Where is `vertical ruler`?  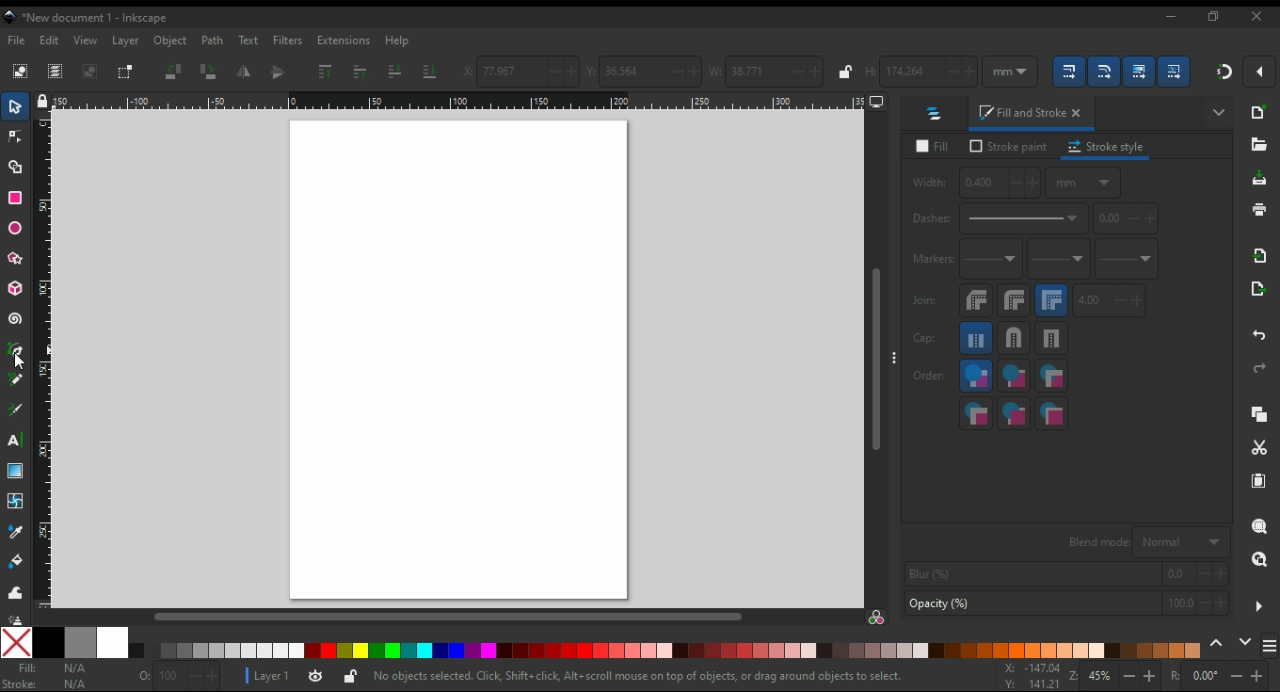 vertical ruler is located at coordinates (45, 360).